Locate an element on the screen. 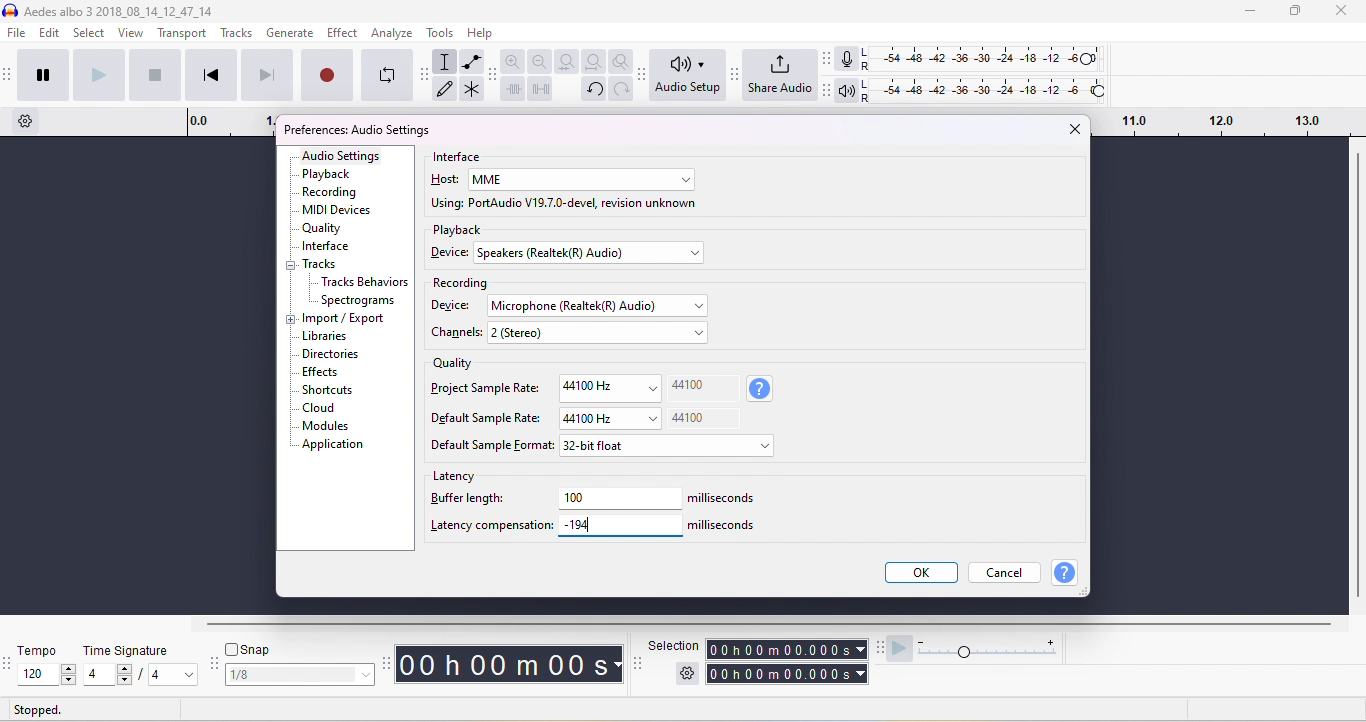 This screenshot has width=1366, height=722. zoom in is located at coordinates (513, 61).